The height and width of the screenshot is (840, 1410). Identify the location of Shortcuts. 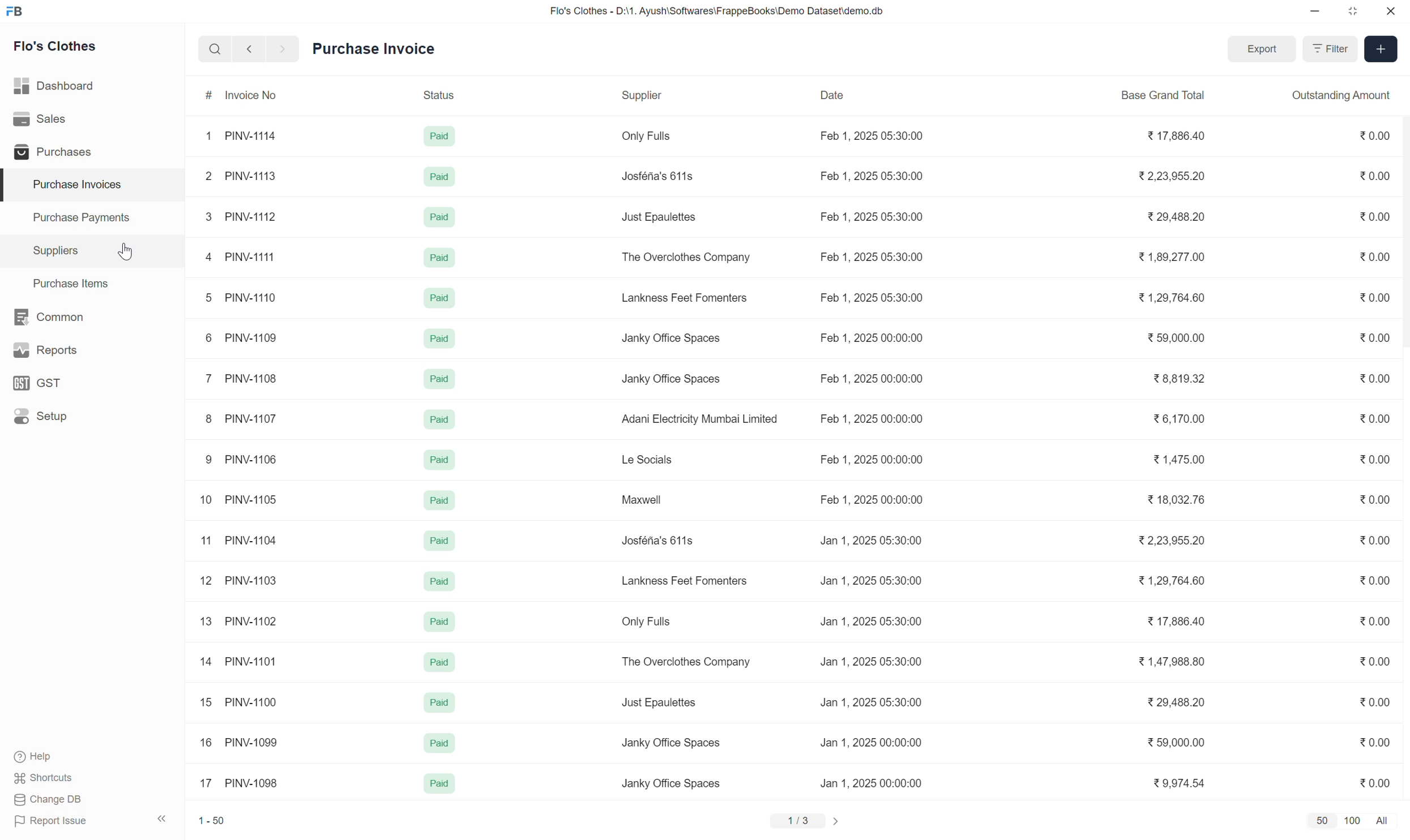
(44, 778).